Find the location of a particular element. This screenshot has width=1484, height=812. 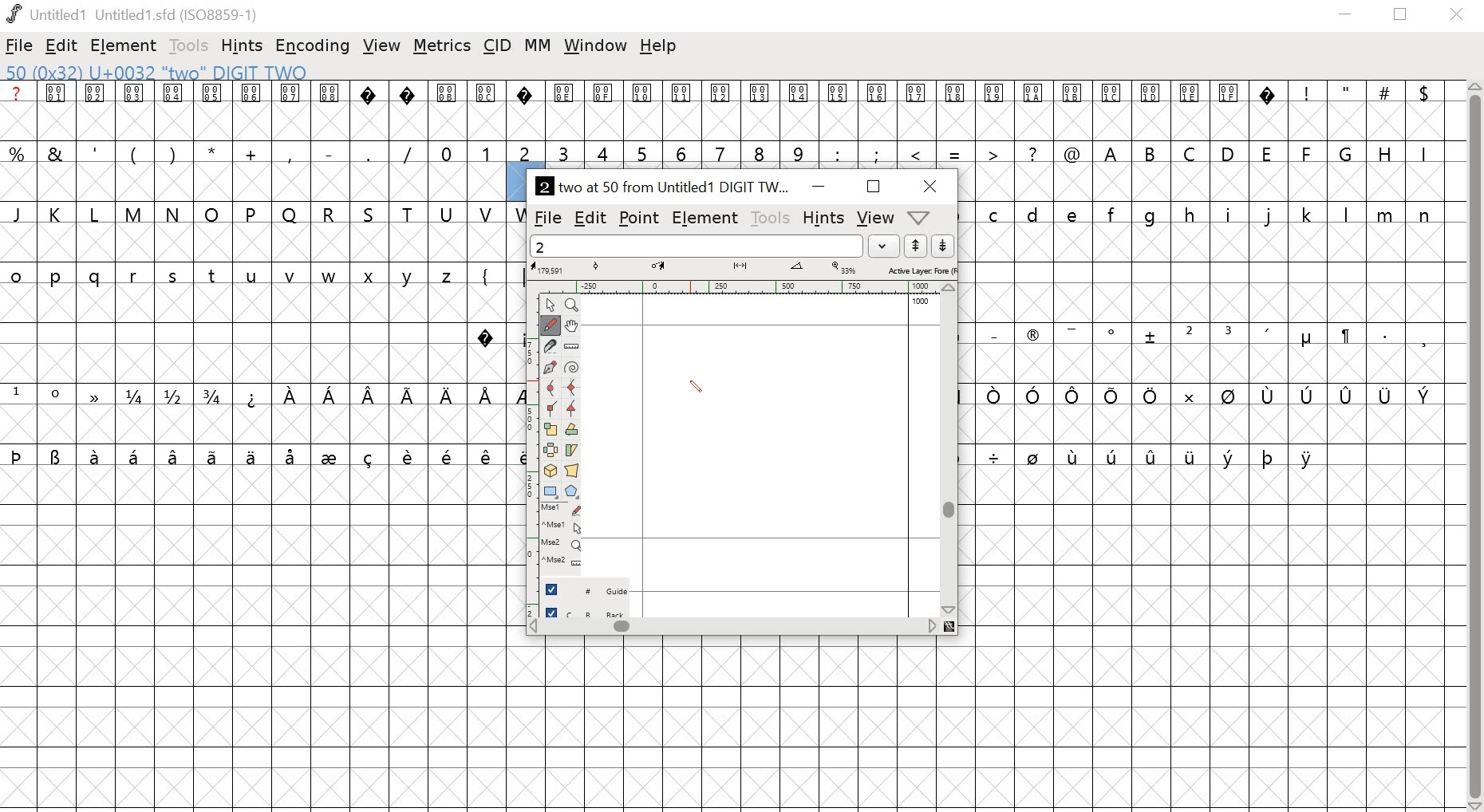

view is located at coordinates (384, 44).